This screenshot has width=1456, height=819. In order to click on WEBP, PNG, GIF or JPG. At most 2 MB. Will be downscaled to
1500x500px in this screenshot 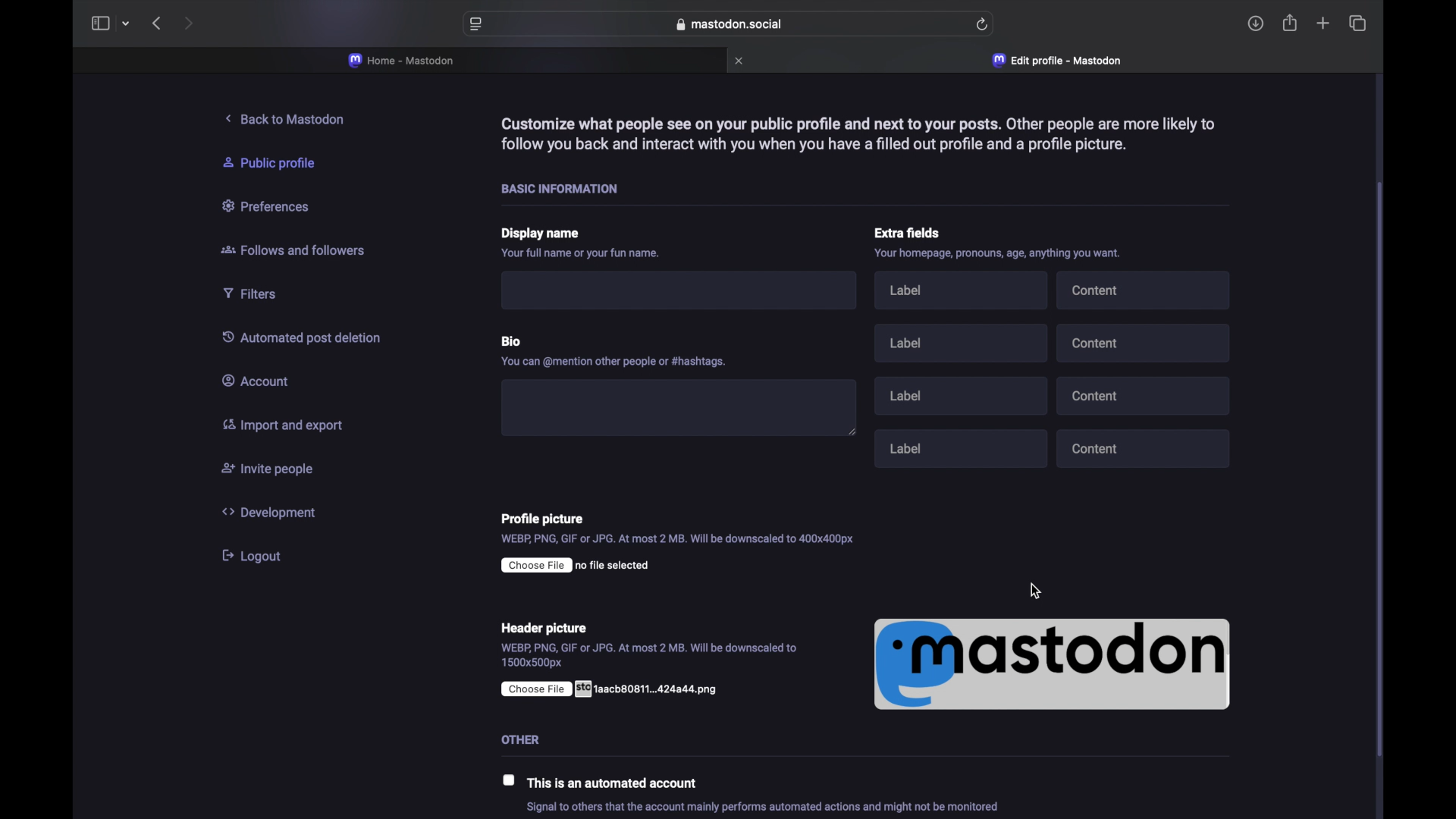, I will do `click(650, 656)`.